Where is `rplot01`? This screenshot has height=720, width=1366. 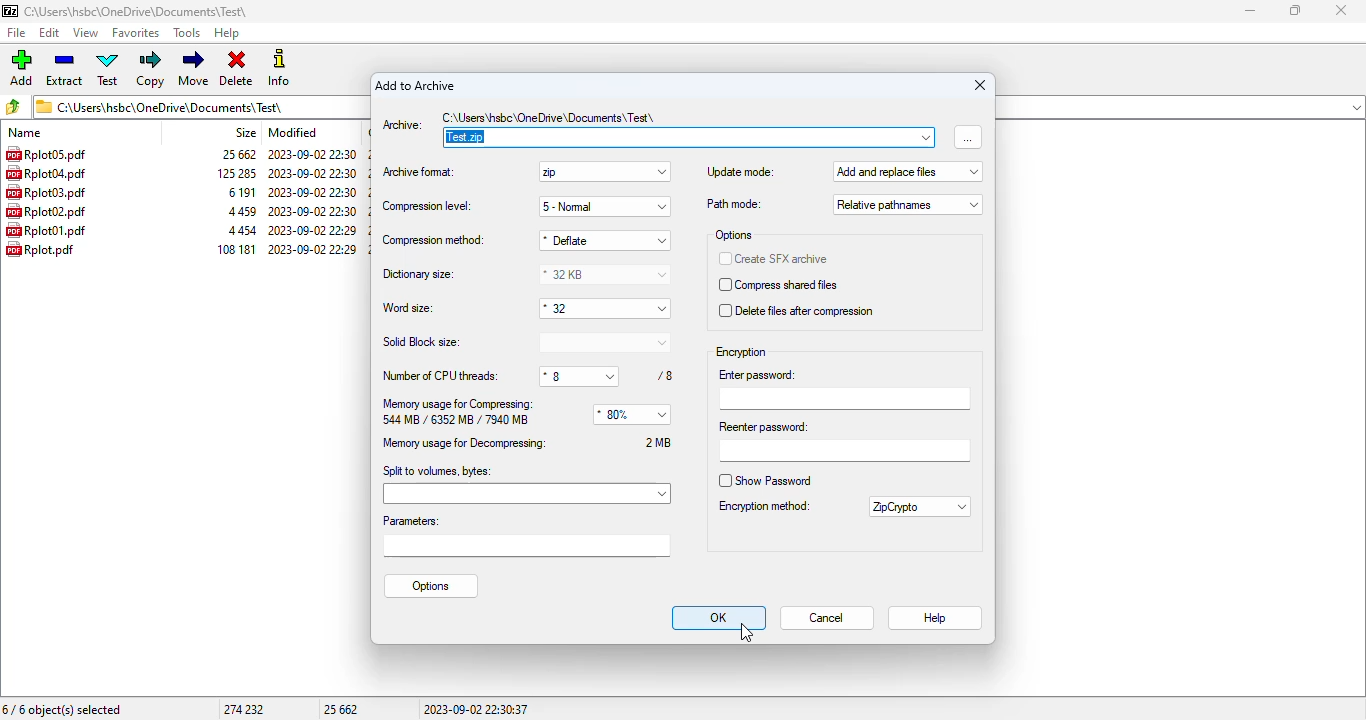
rplot01 is located at coordinates (47, 230).